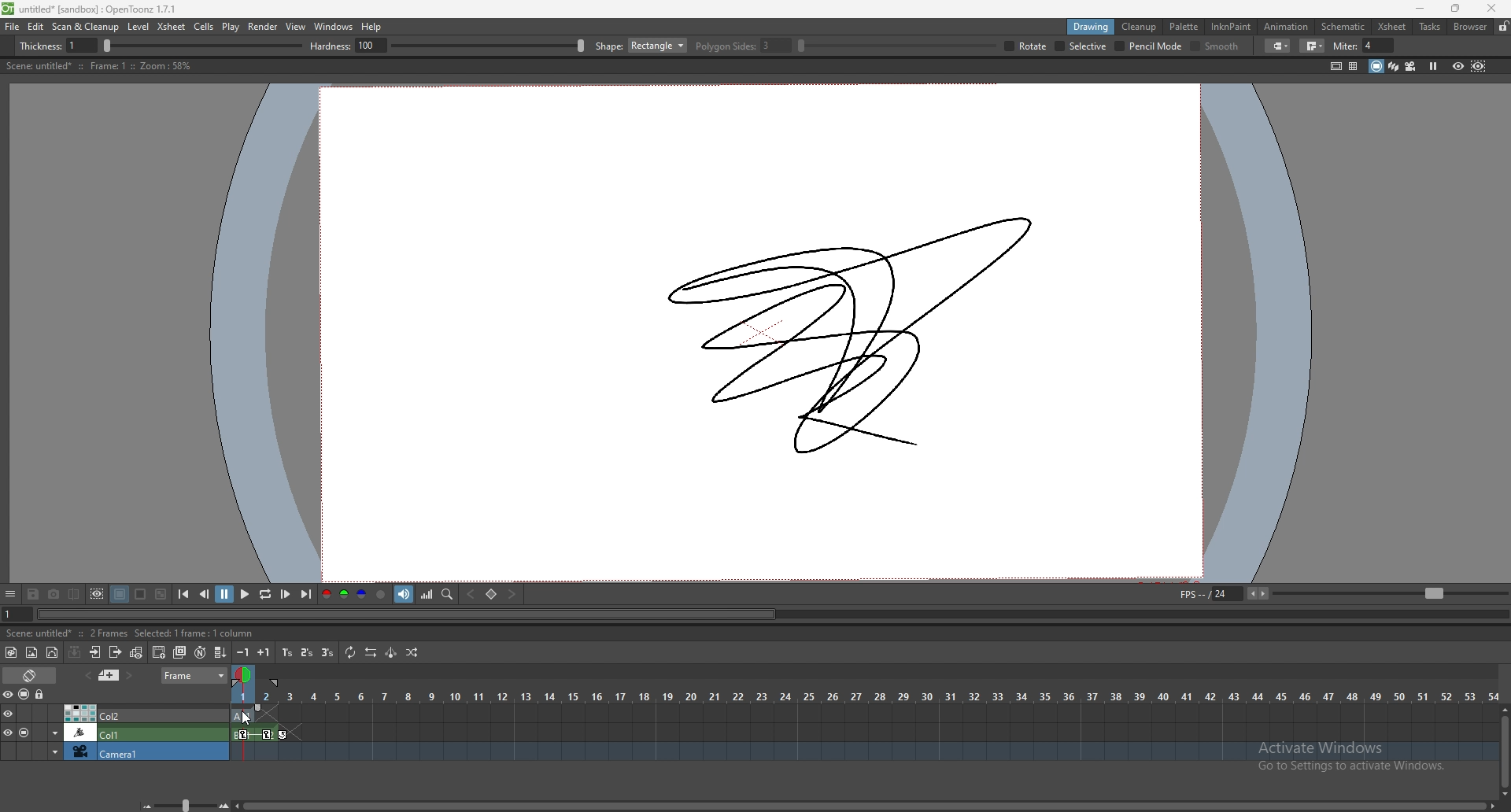 Image resolution: width=1511 pixels, height=812 pixels. Describe the element at coordinates (231, 27) in the screenshot. I see `play` at that location.